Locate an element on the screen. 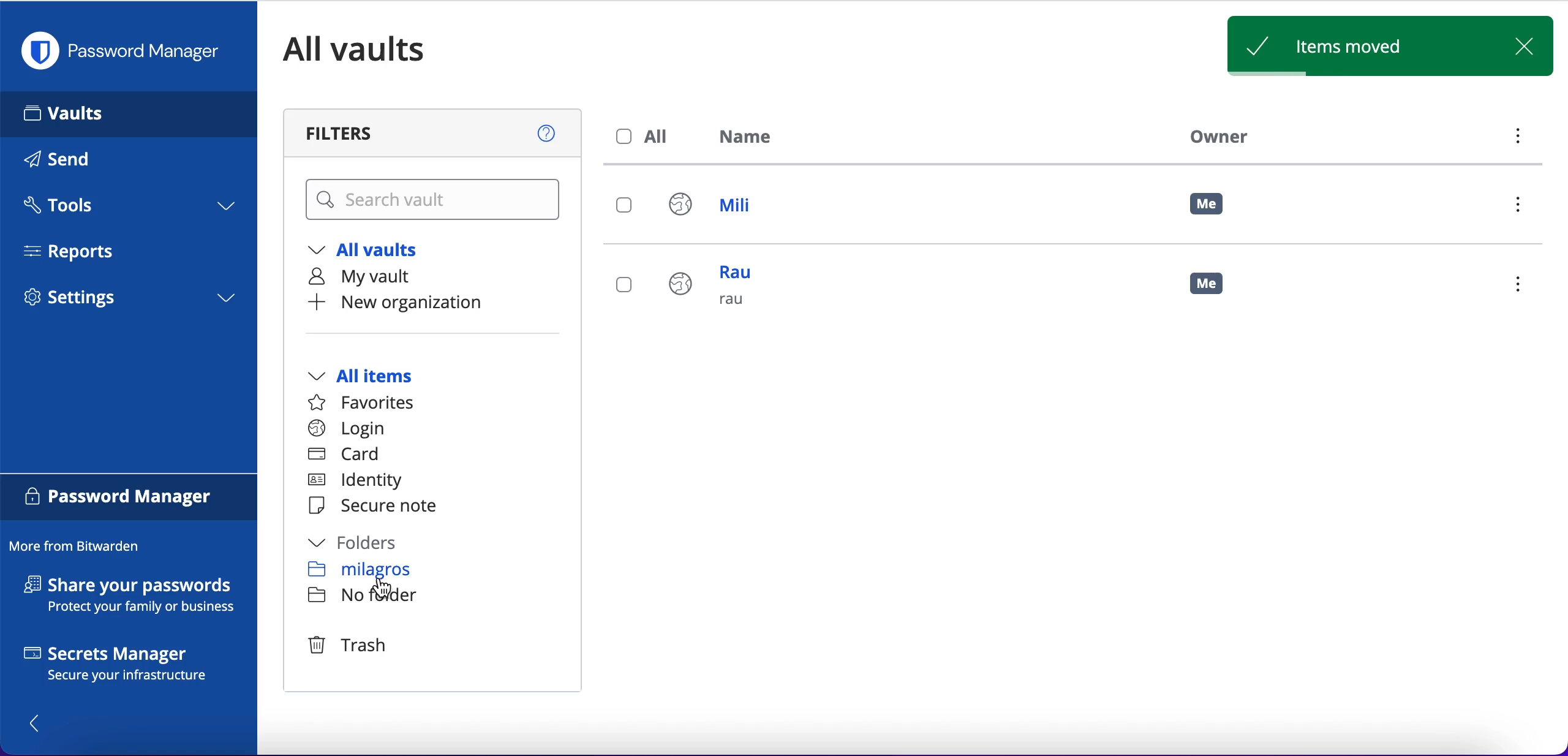  vaults is located at coordinates (129, 113).